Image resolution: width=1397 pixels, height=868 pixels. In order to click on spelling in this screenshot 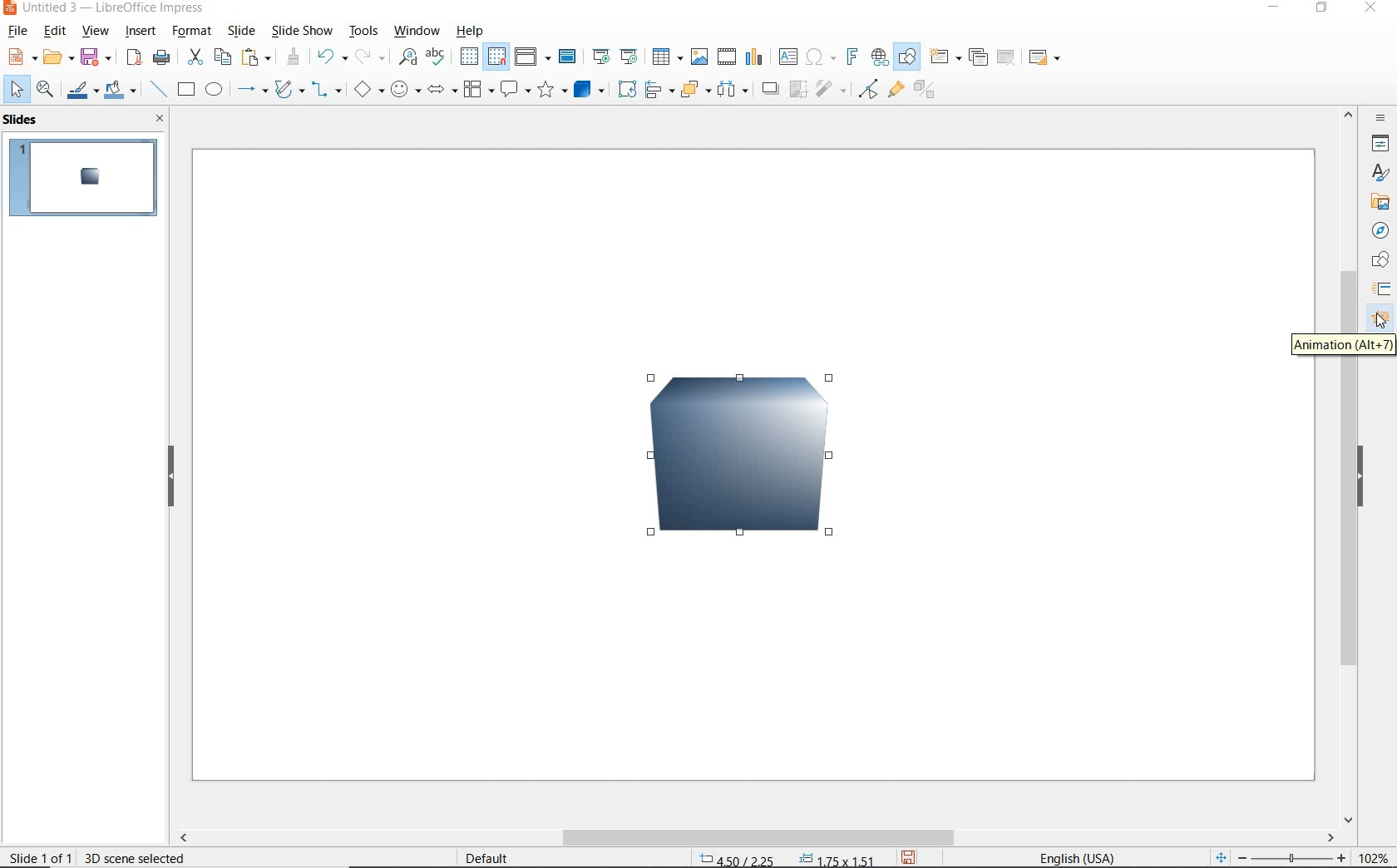, I will do `click(435, 57)`.